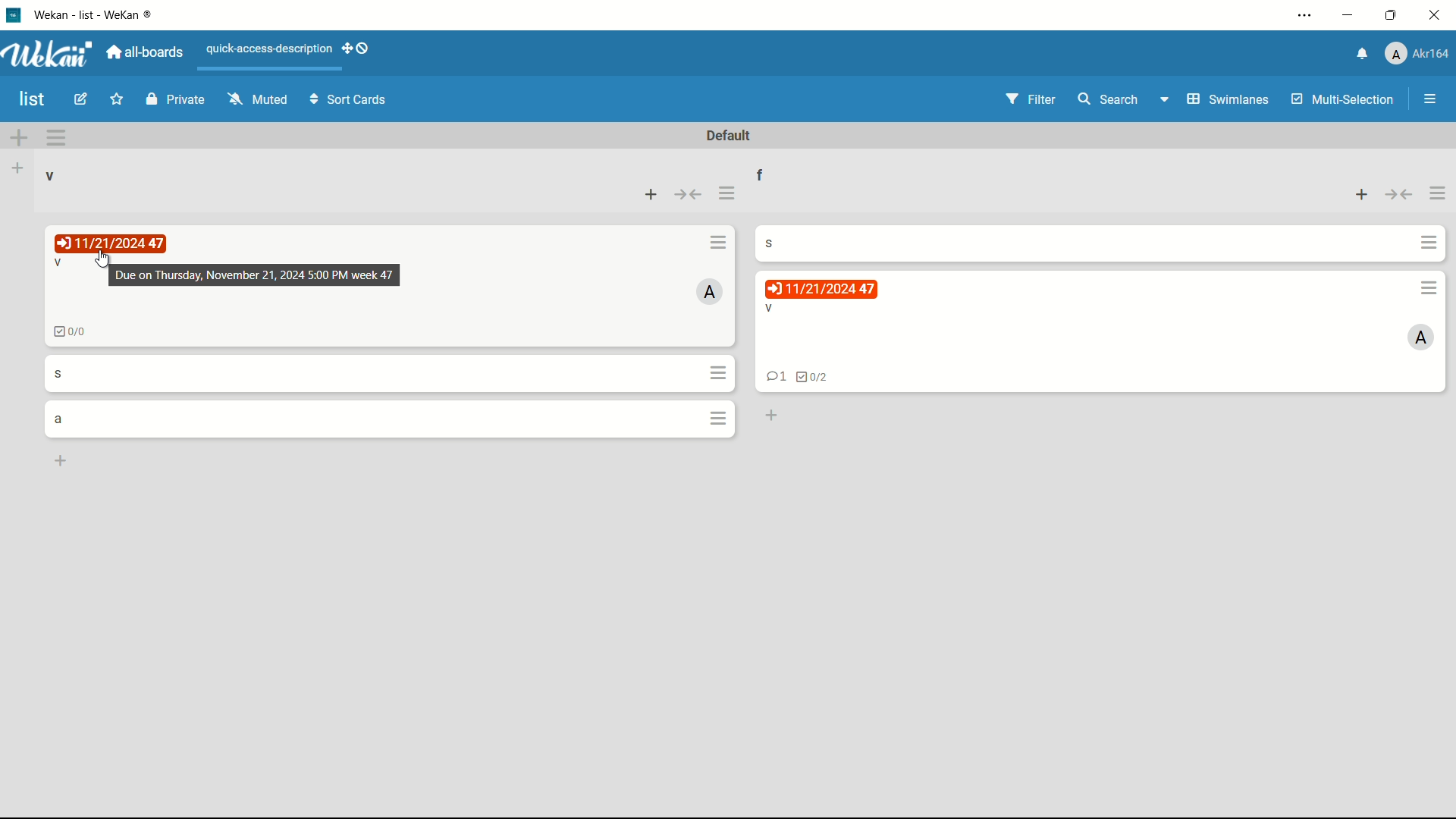  I want to click on add list, so click(20, 168).